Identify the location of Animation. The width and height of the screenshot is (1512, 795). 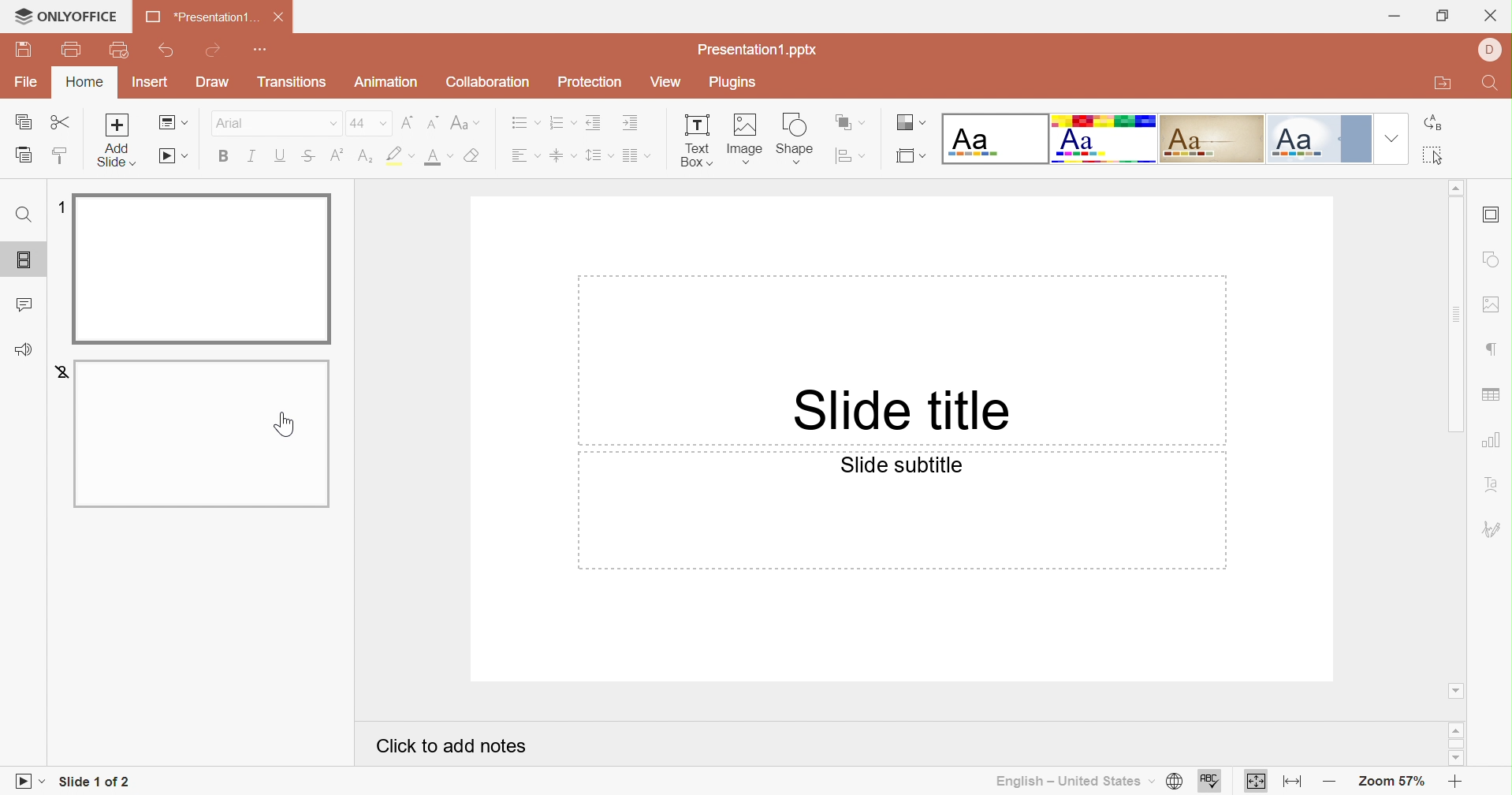
(389, 82).